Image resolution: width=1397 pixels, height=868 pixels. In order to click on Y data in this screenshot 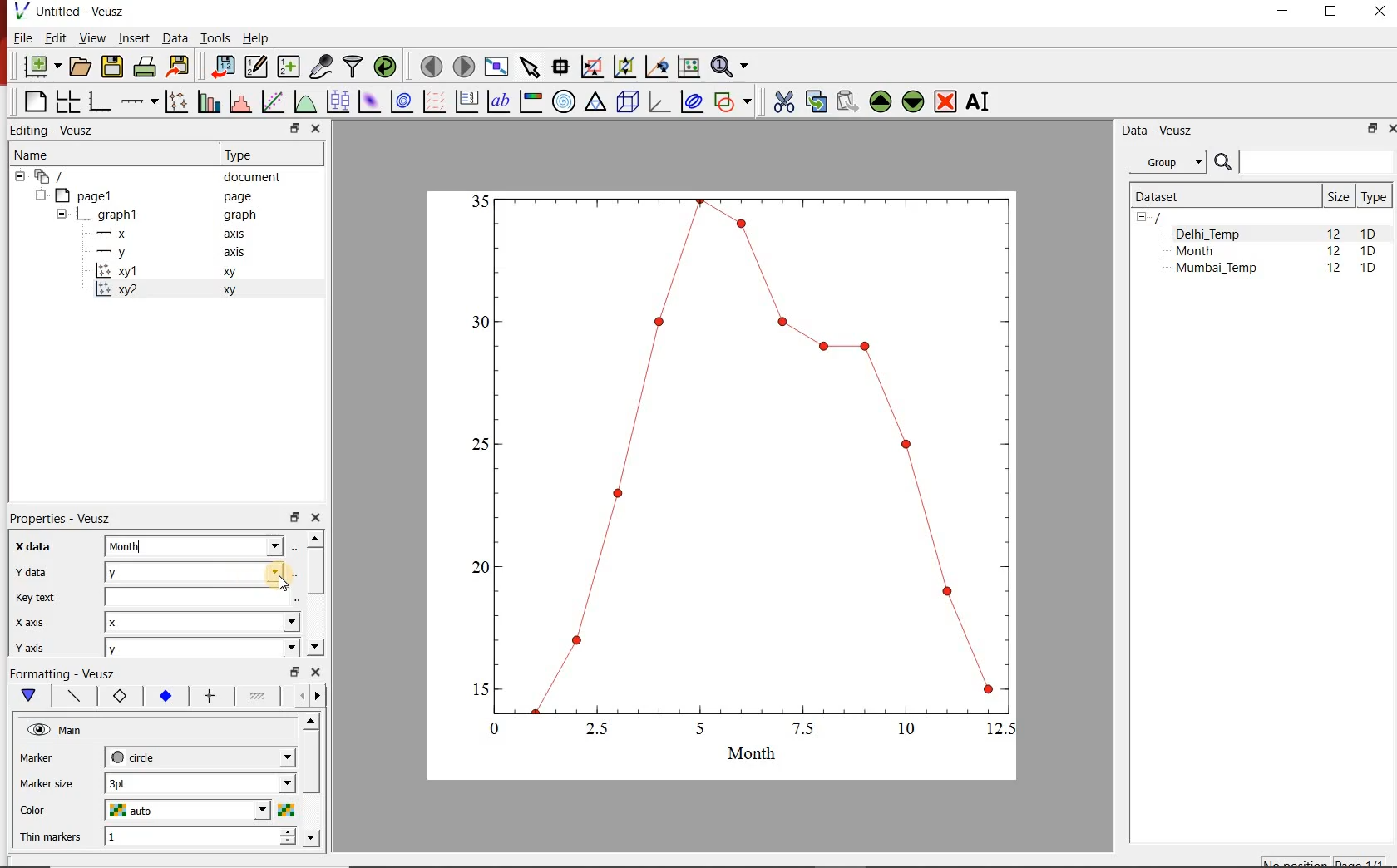, I will do `click(29, 571)`.